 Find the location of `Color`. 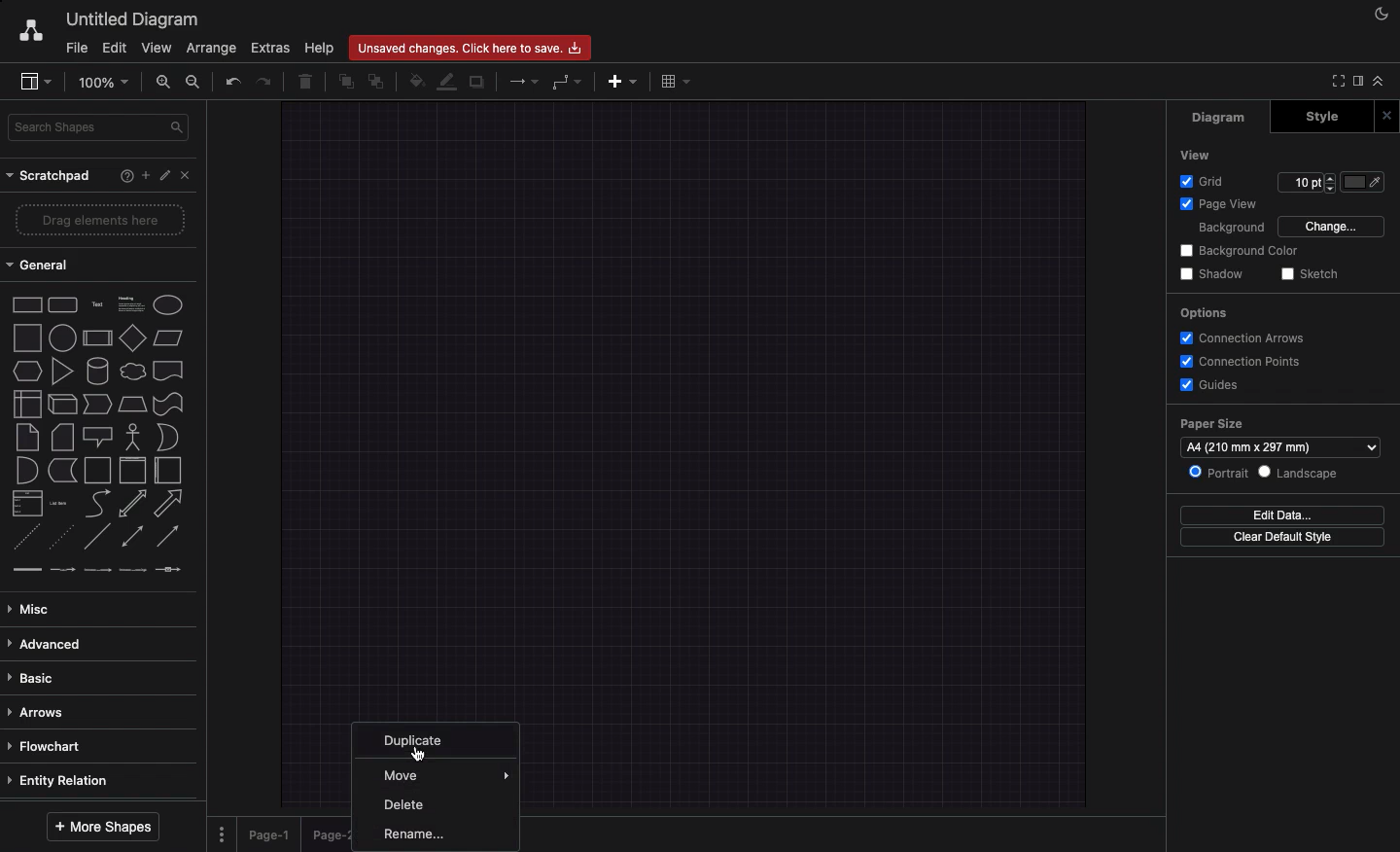

Color is located at coordinates (1363, 185).